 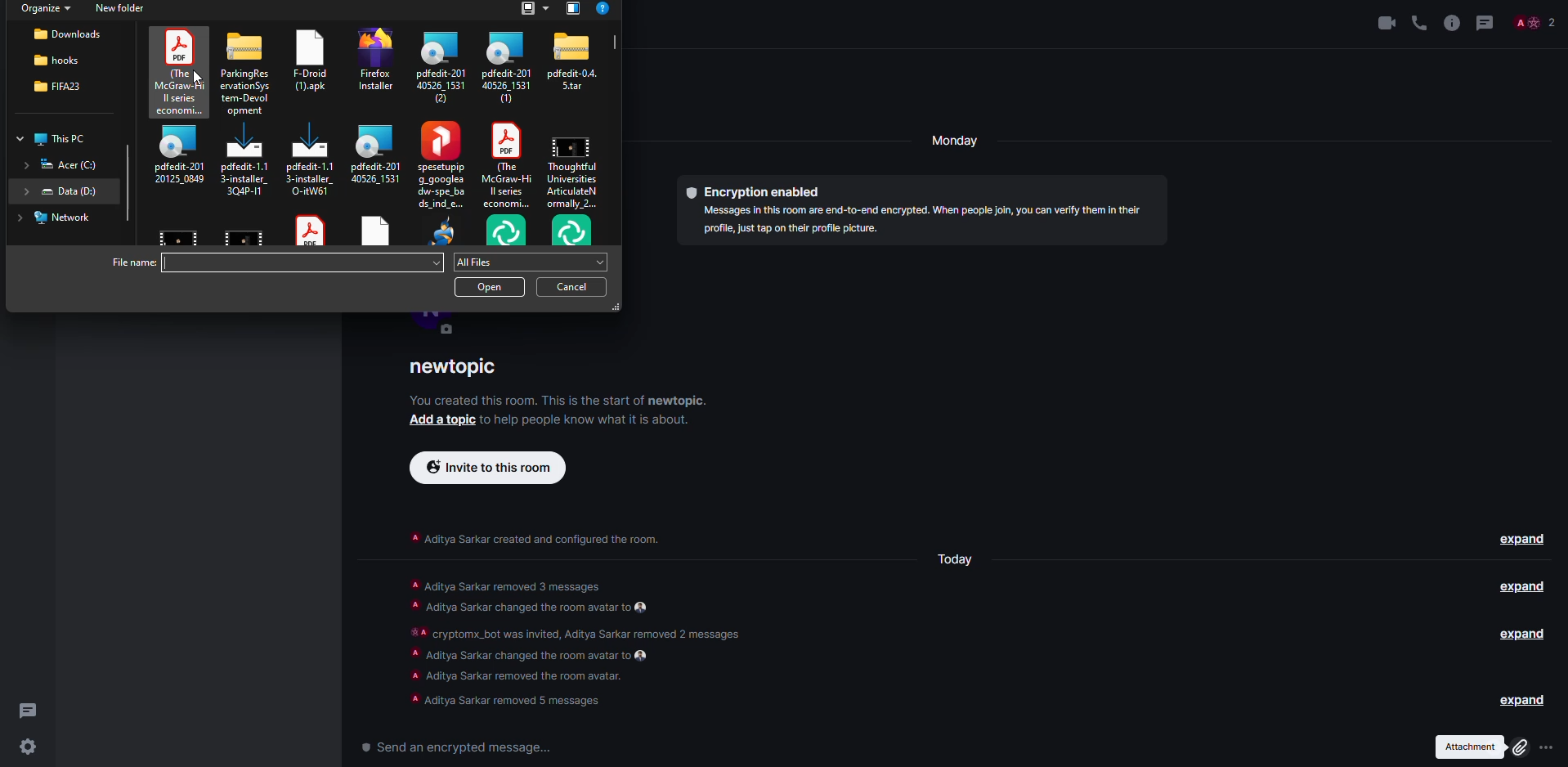 What do you see at coordinates (460, 368) in the screenshot?
I see `room` at bounding box center [460, 368].